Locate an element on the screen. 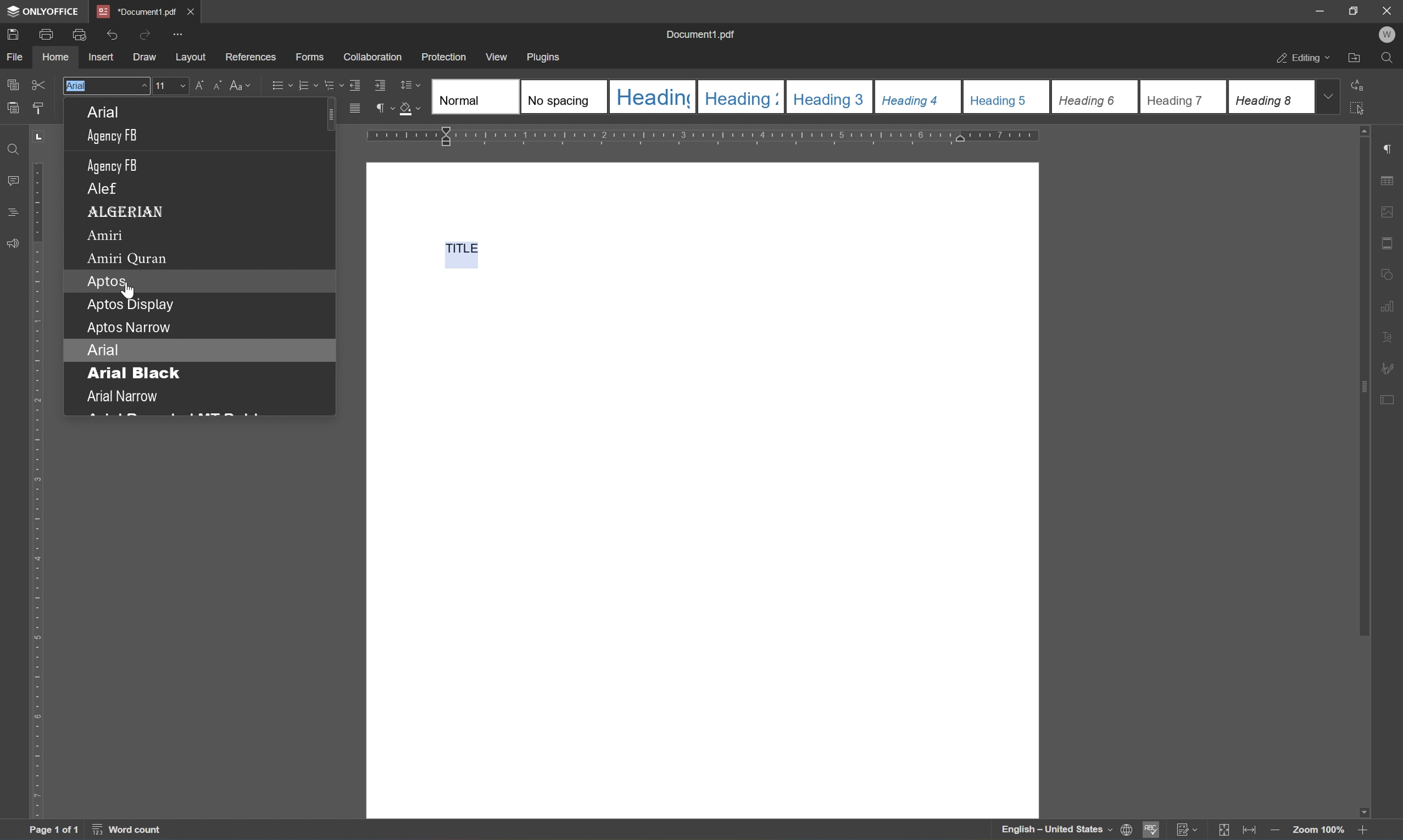  TITLE is located at coordinates (458, 251).